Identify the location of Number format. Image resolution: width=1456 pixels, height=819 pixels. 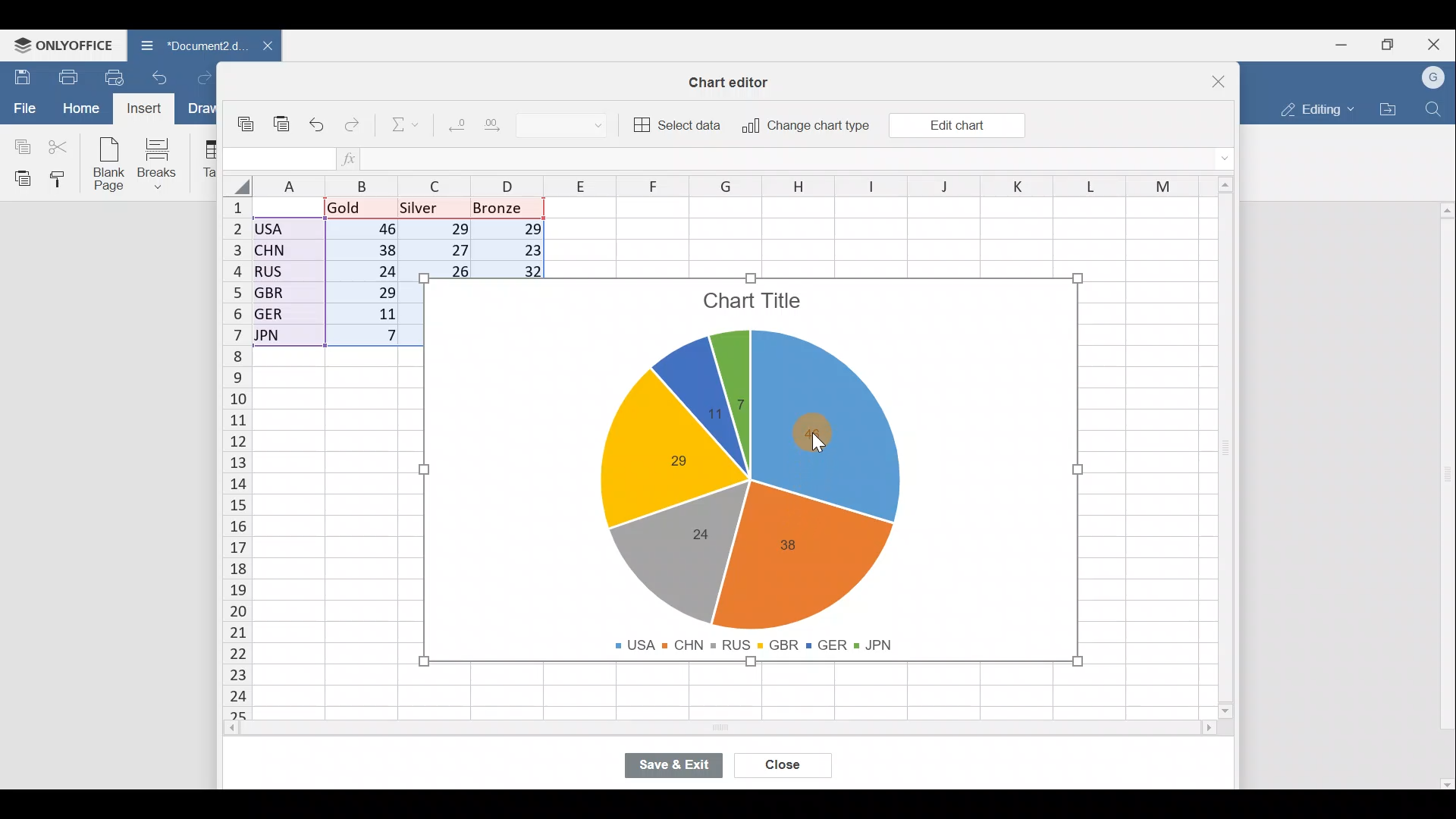
(568, 123).